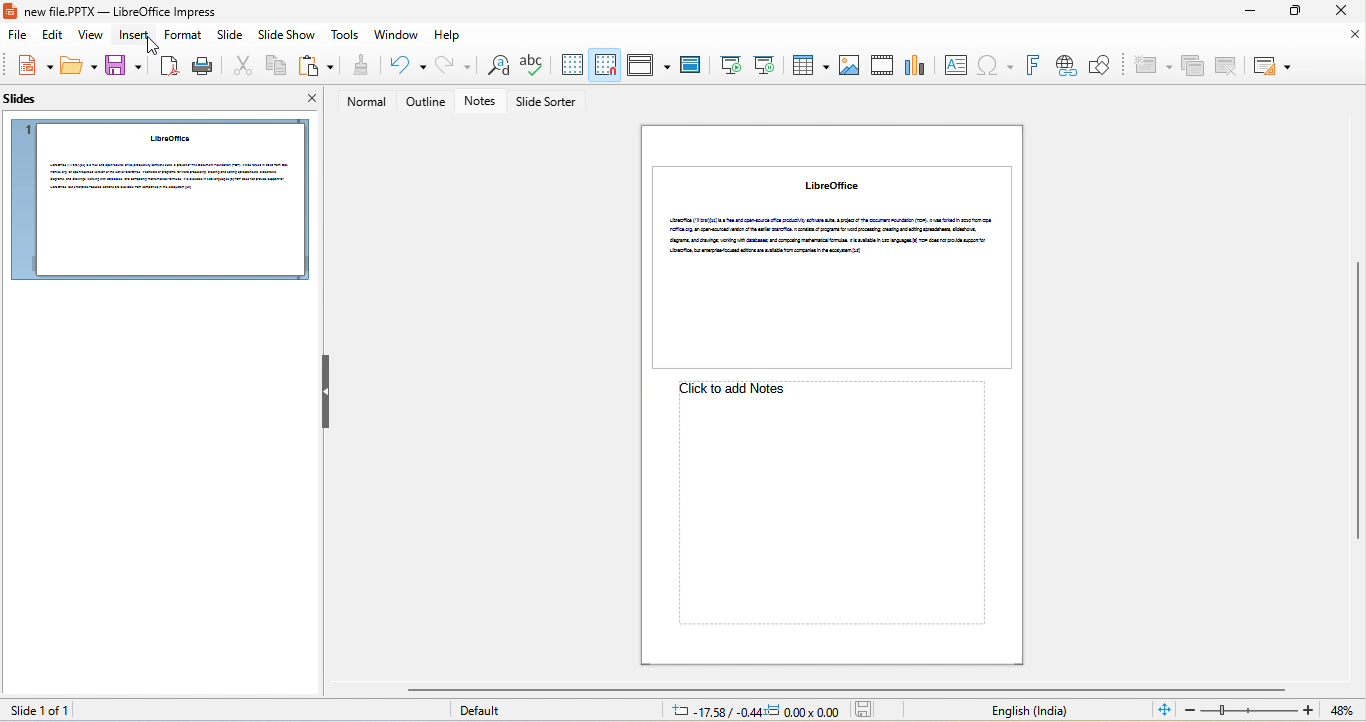 This screenshot has width=1366, height=722. I want to click on cut, so click(240, 67).